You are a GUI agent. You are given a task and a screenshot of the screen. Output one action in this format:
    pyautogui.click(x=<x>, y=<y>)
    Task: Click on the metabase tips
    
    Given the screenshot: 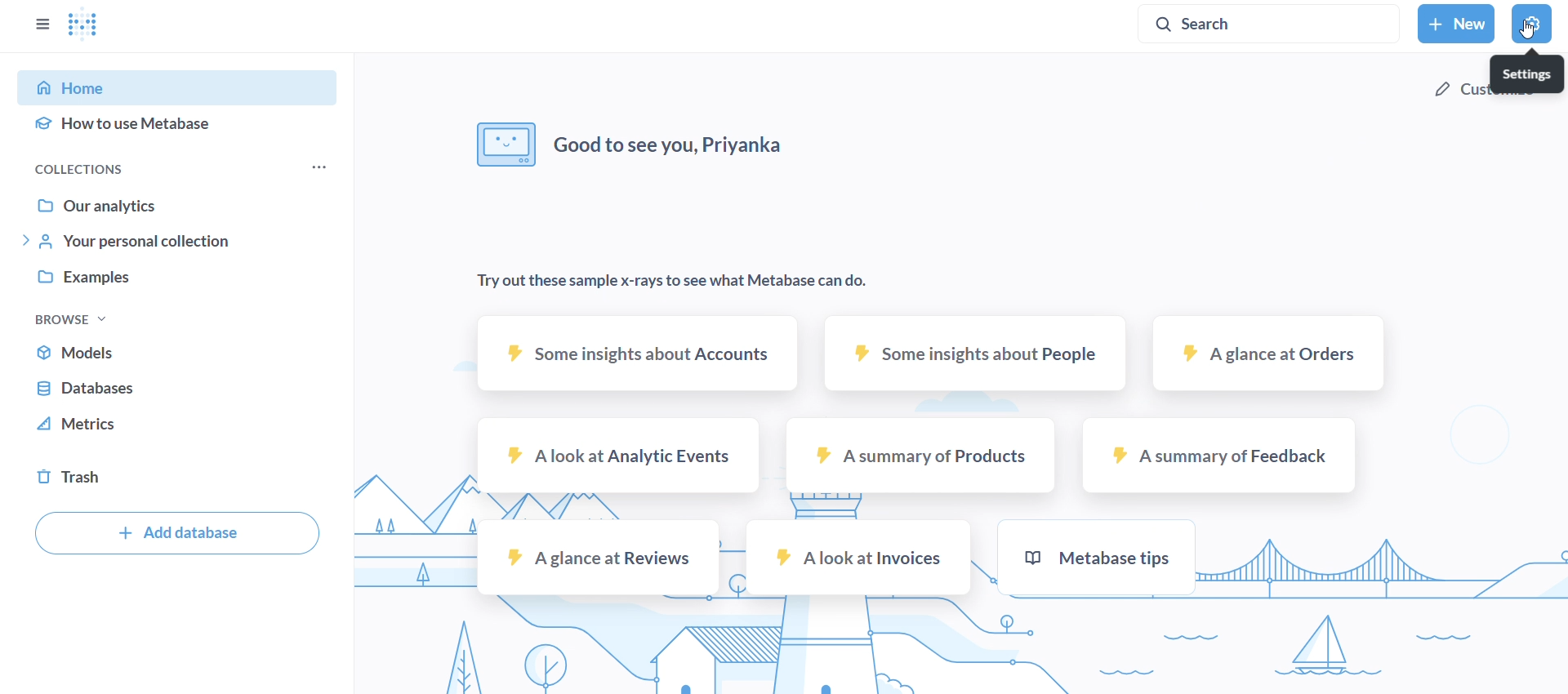 What is the action you would take?
    pyautogui.click(x=1094, y=555)
    